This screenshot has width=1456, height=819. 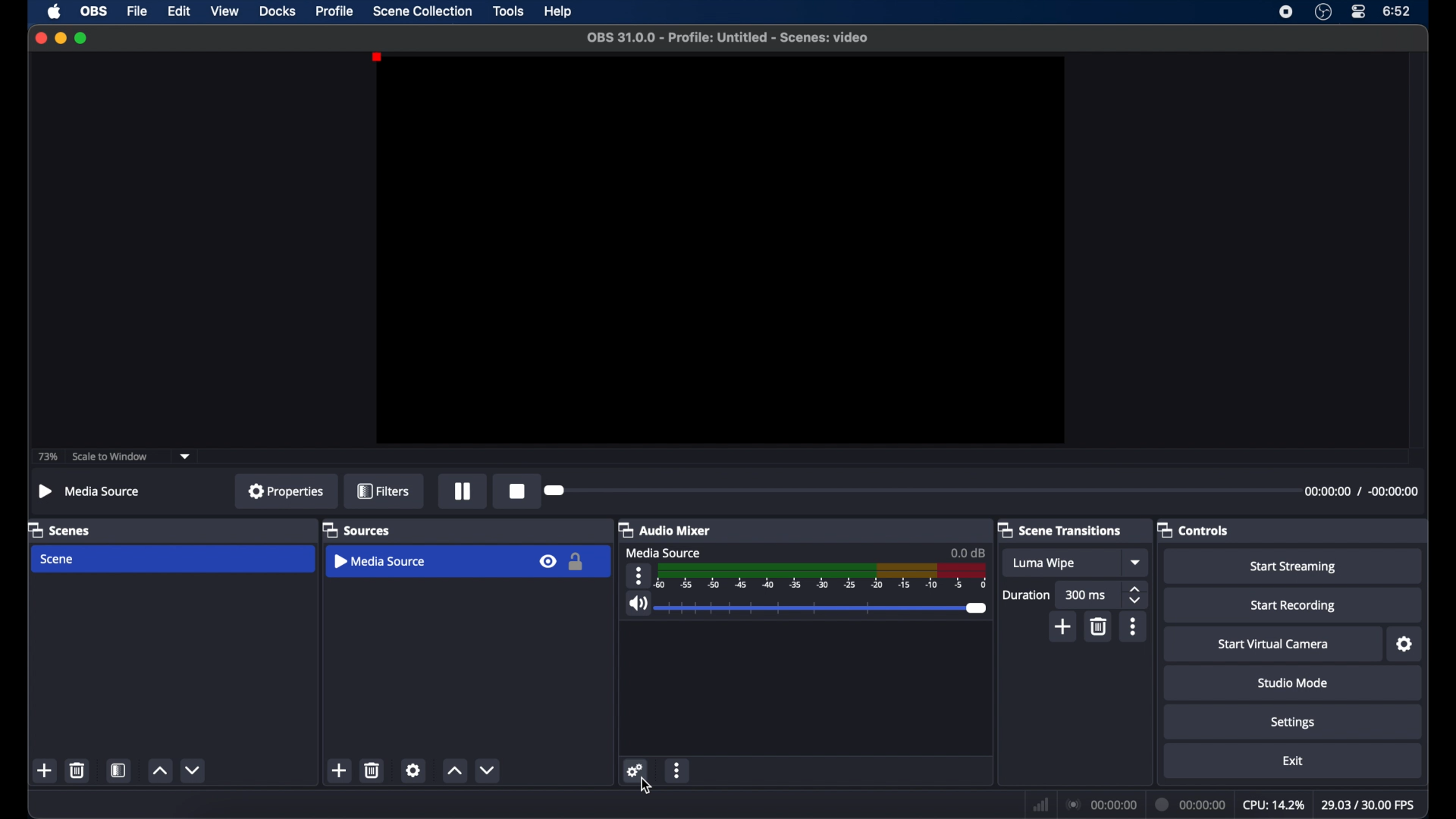 What do you see at coordinates (178, 11) in the screenshot?
I see `edit` at bounding box center [178, 11].